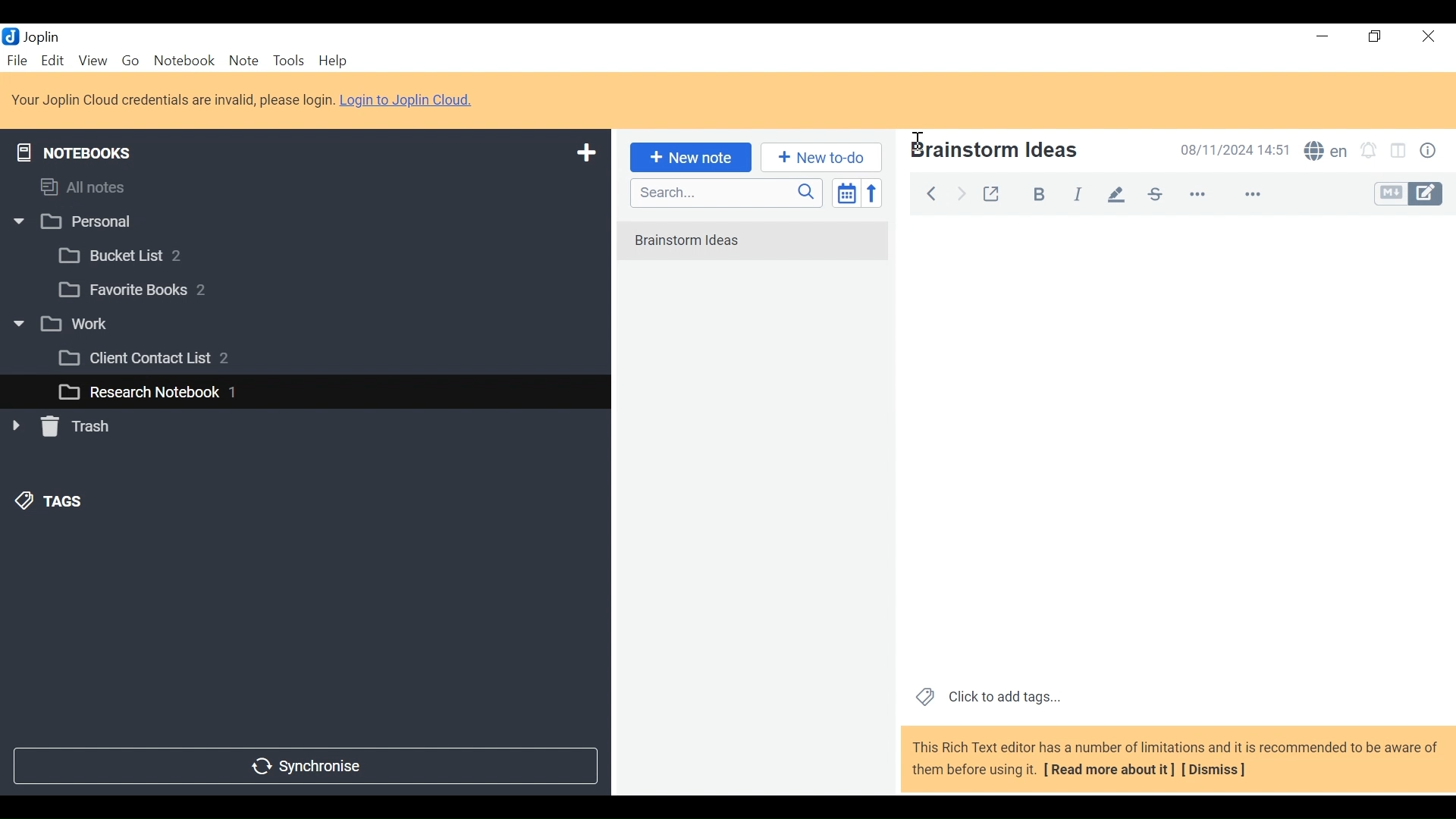 The height and width of the screenshot is (819, 1456). Describe the element at coordinates (1321, 36) in the screenshot. I see `Minimize` at that location.